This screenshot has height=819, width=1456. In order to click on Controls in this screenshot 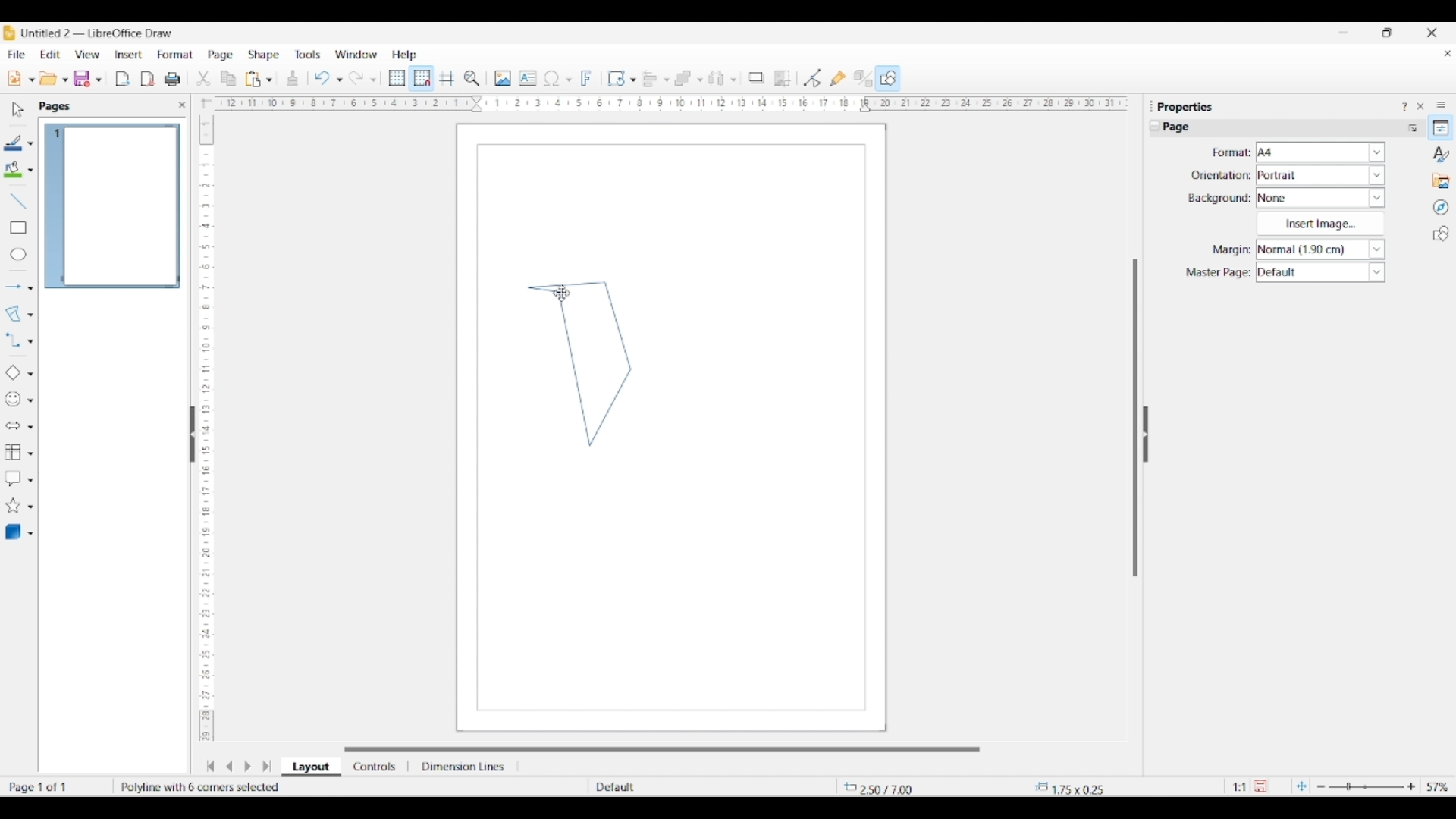, I will do `click(376, 767)`.